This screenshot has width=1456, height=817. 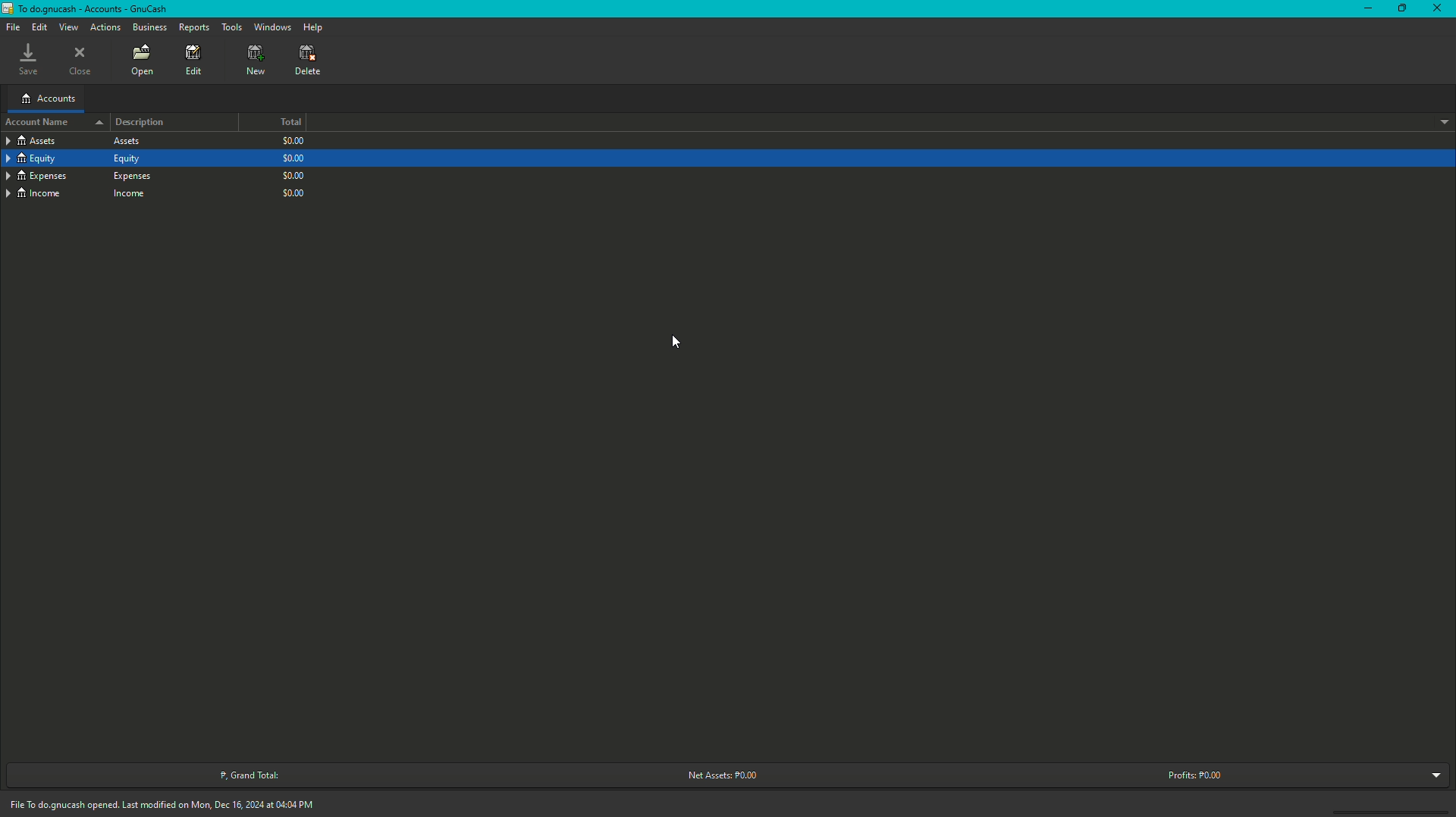 What do you see at coordinates (293, 155) in the screenshot?
I see `$0` at bounding box center [293, 155].